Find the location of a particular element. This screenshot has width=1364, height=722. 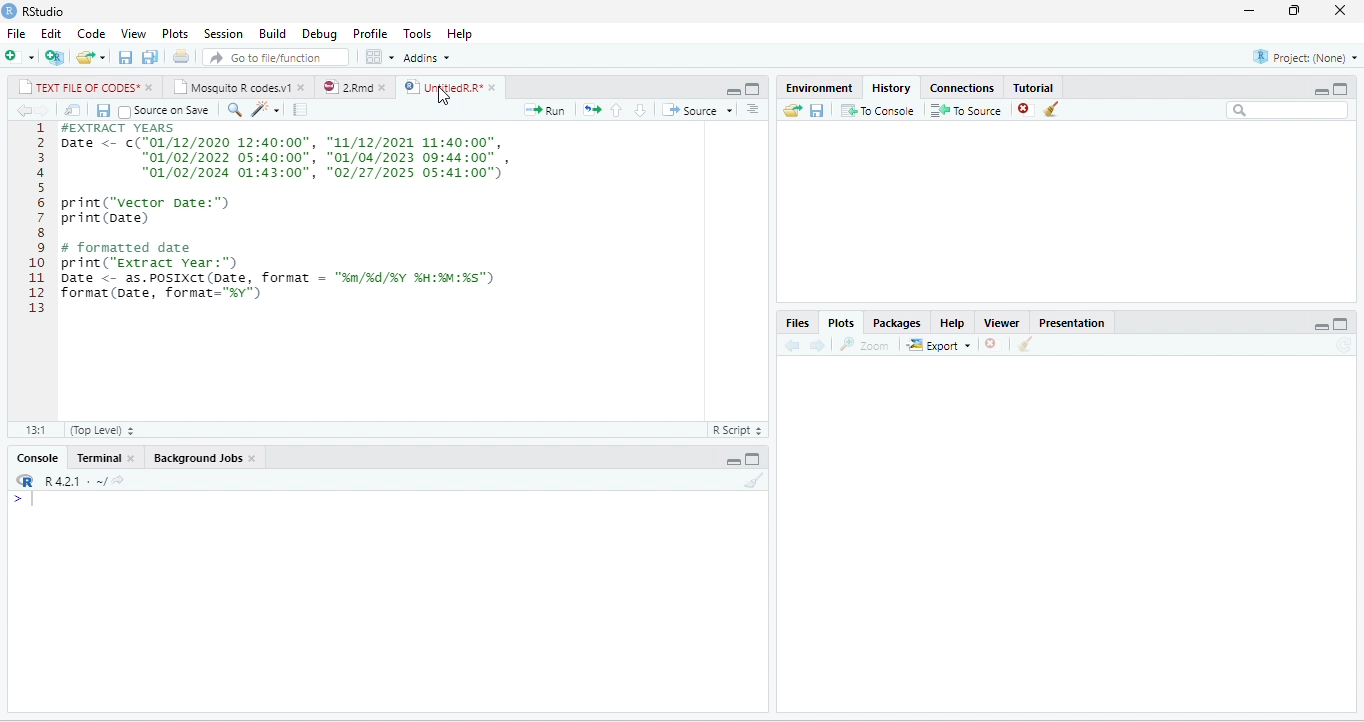

minimize is located at coordinates (733, 91).